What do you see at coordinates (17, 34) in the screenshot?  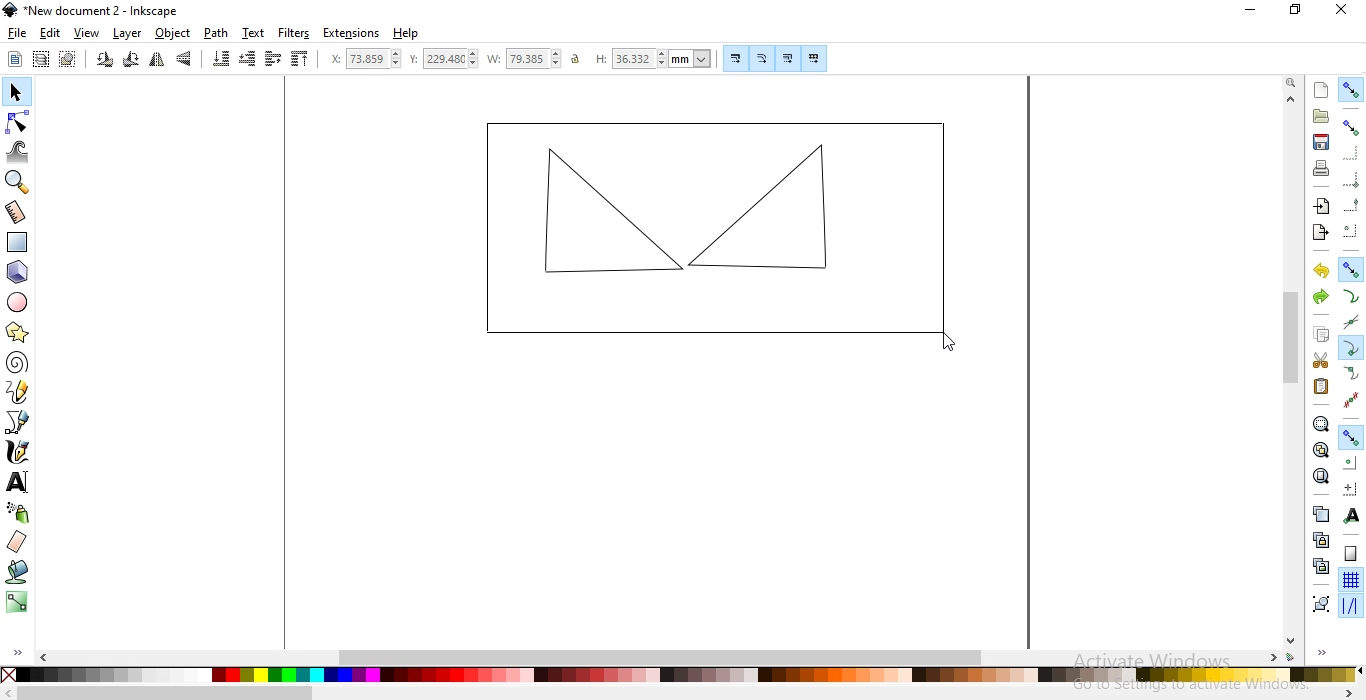 I see `file` at bounding box center [17, 34].